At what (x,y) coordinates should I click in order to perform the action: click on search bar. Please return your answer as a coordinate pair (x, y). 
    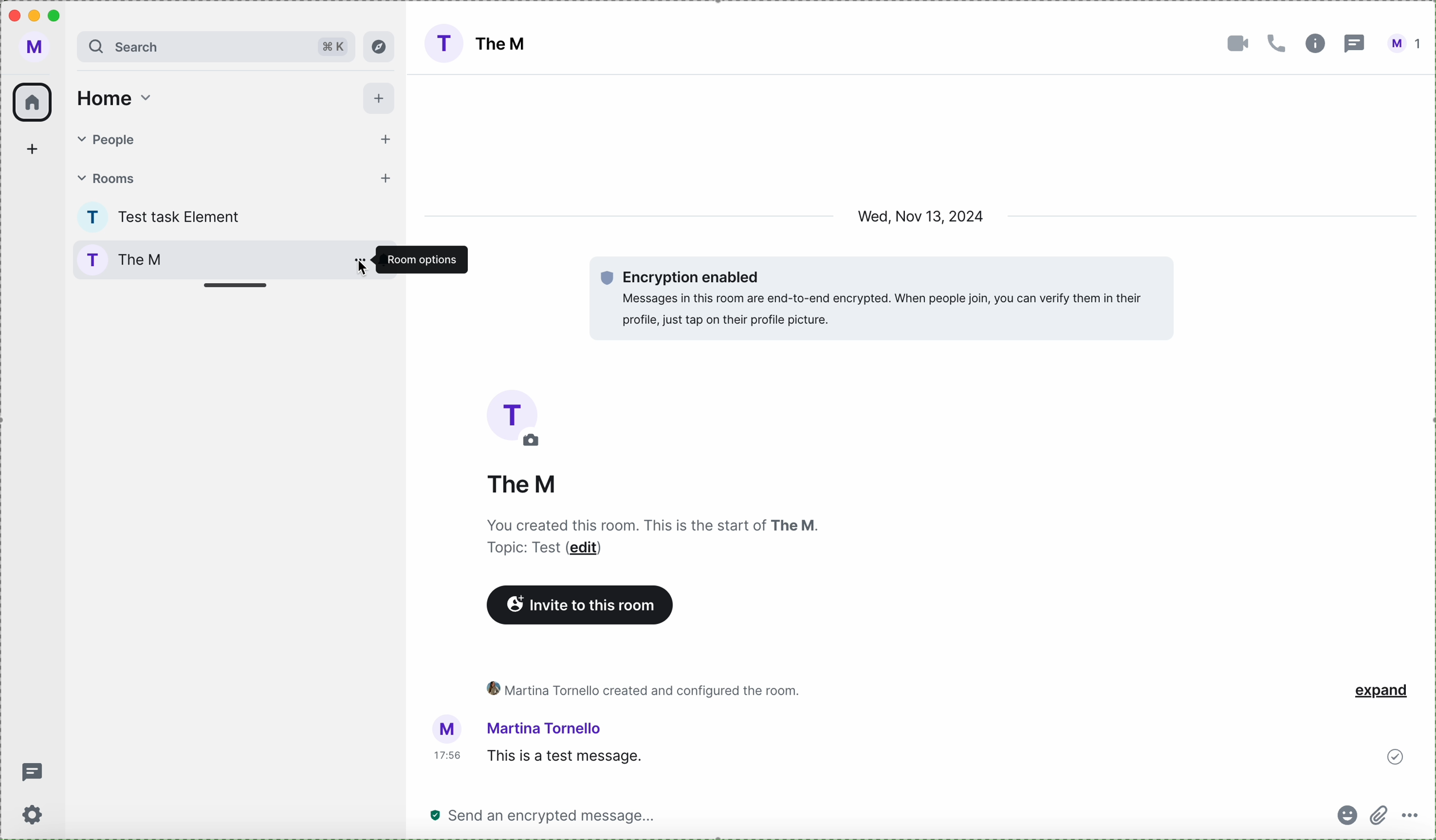
    Looking at the image, I should click on (182, 47).